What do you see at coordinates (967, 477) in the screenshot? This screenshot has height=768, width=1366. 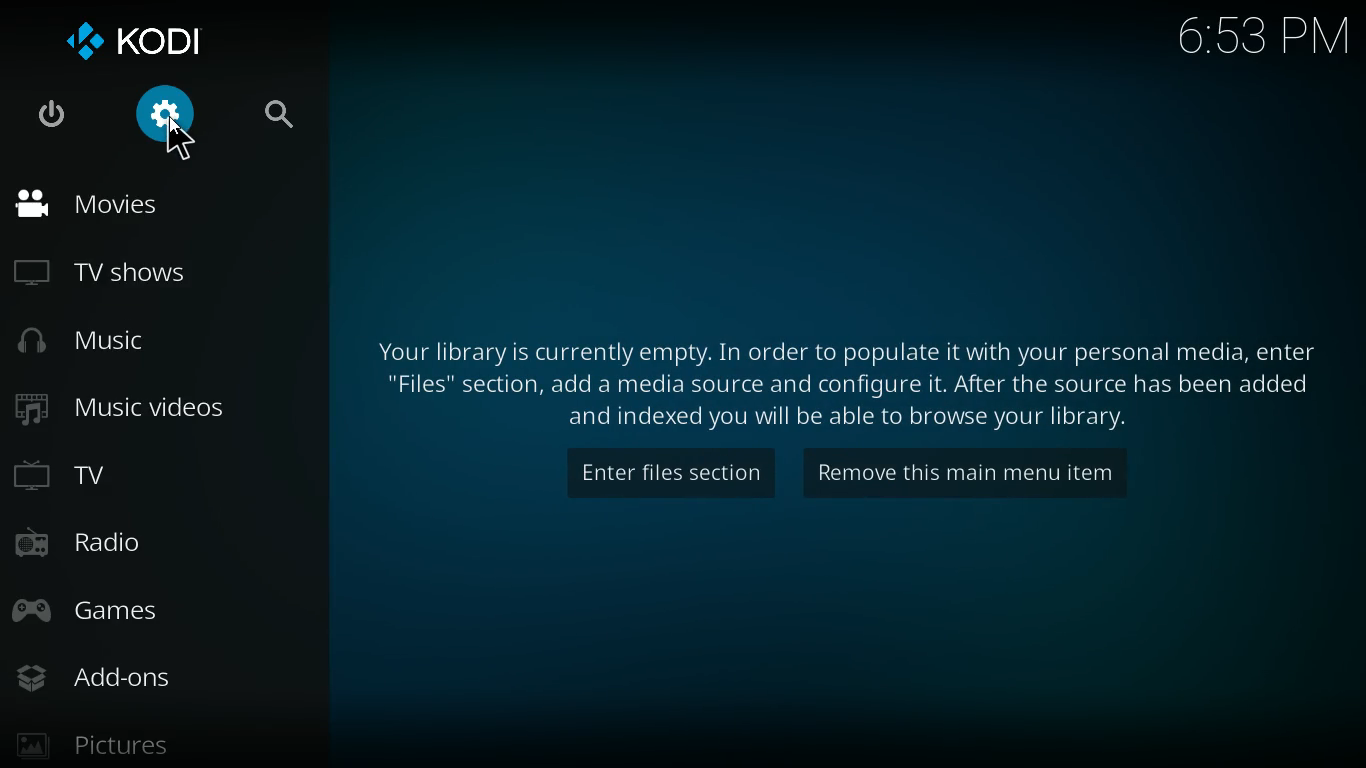 I see `remove this main menu item` at bounding box center [967, 477].